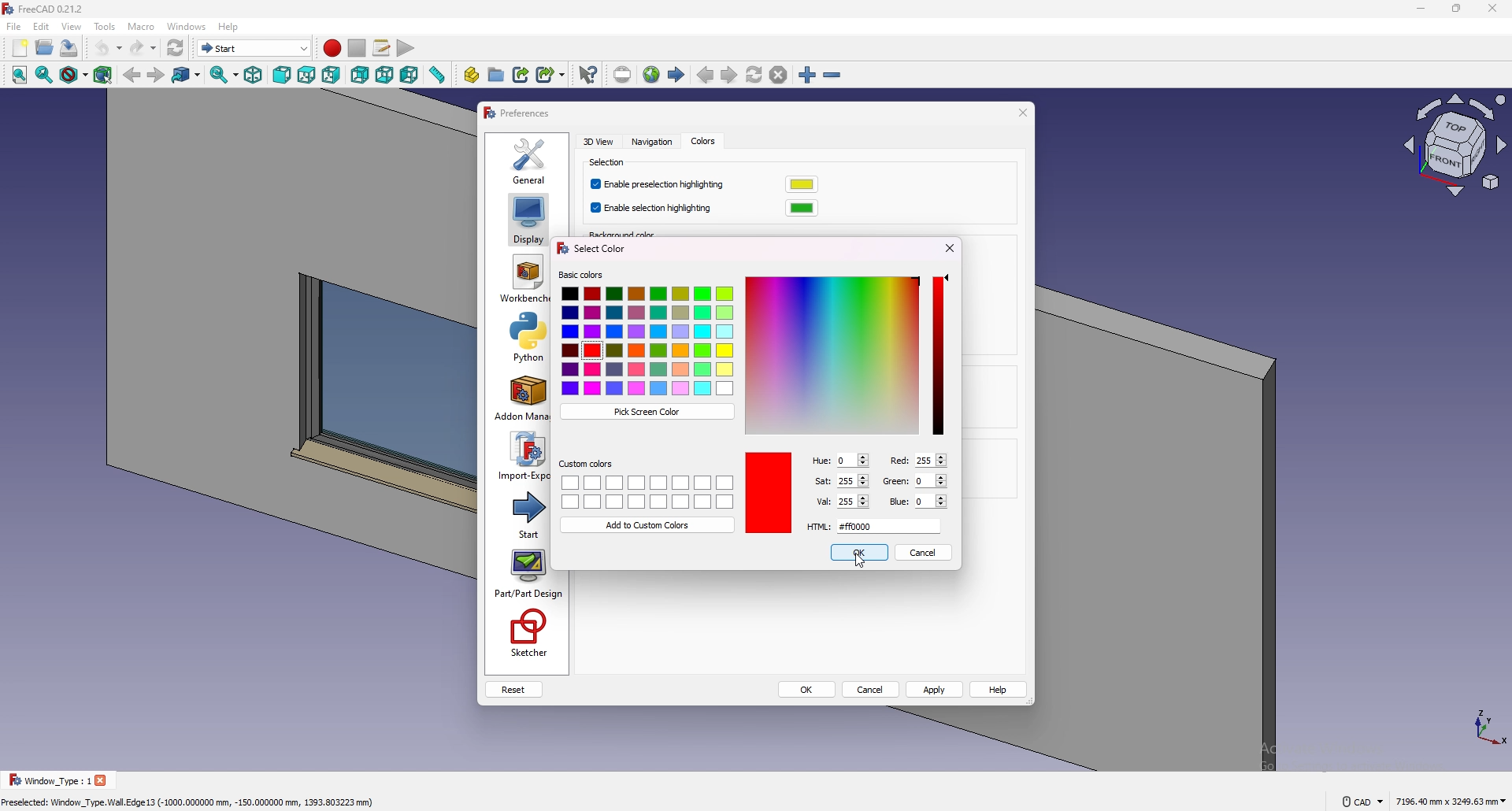 The image size is (1512, 811). Describe the element at coordinates (832, 76) in the screenshot. I see `zoom out` at that location.